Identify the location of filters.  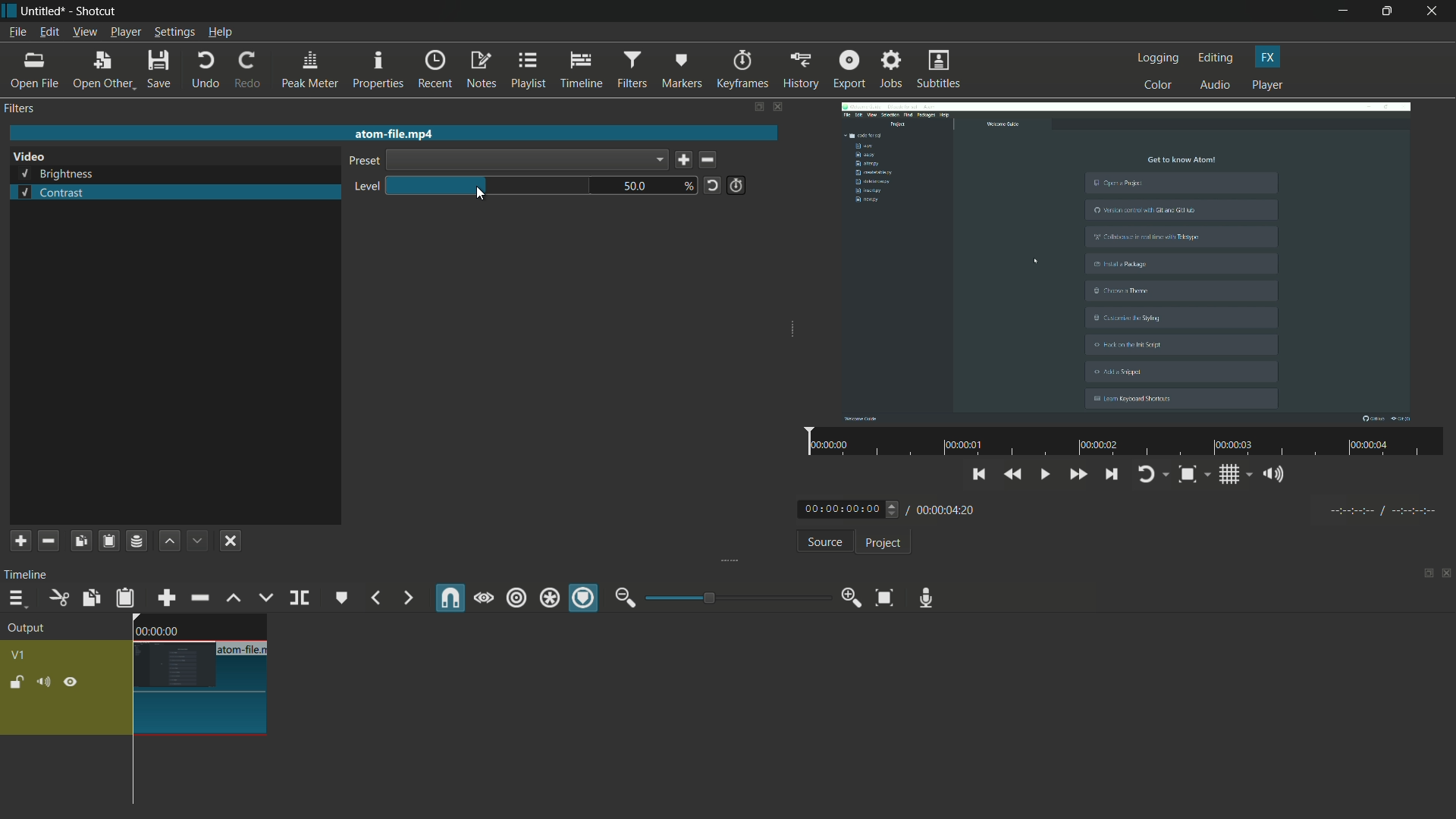
(21, 108).